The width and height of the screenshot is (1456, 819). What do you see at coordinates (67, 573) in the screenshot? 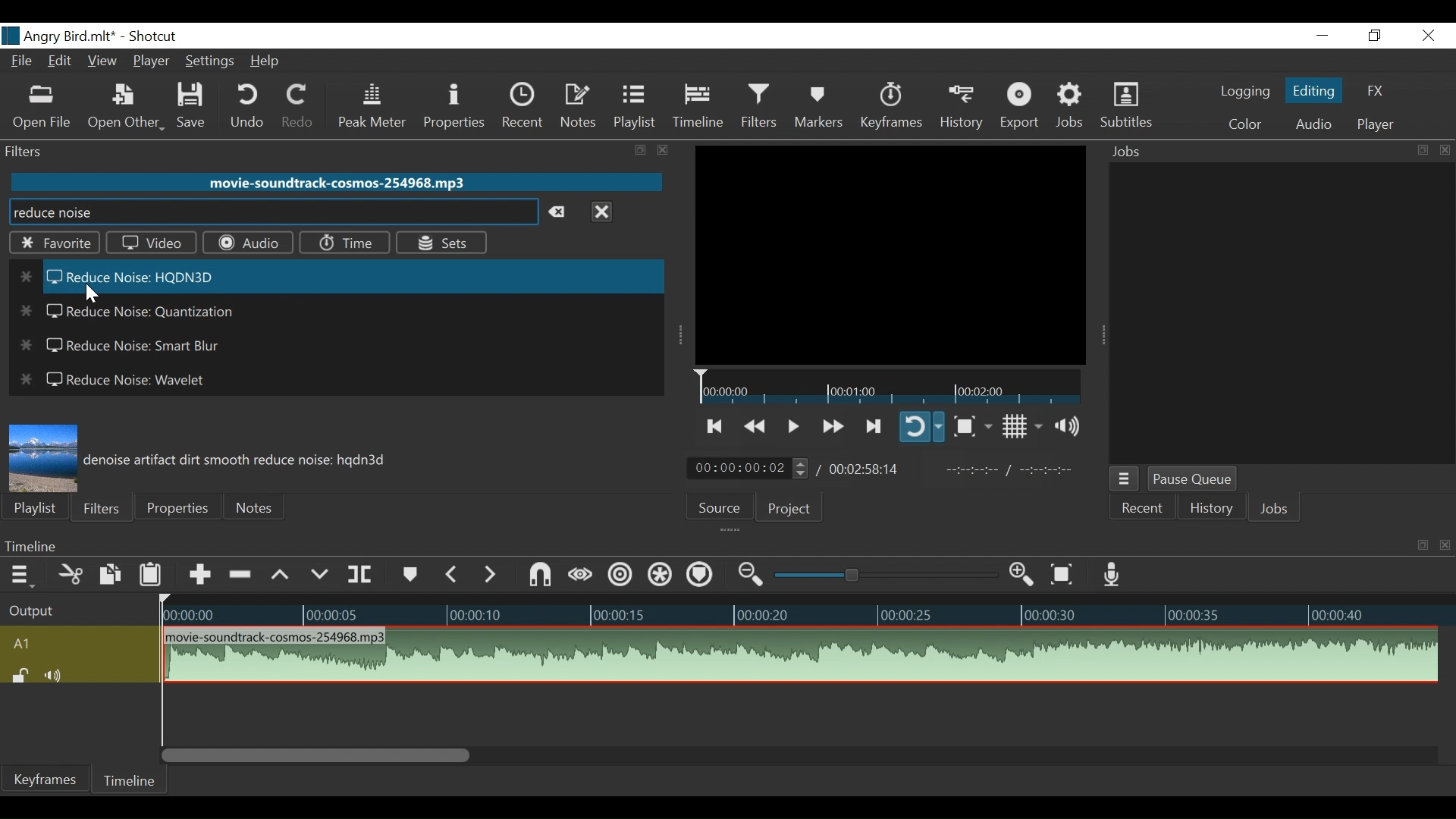
I see `Cut` at bounding box center [67, 573].